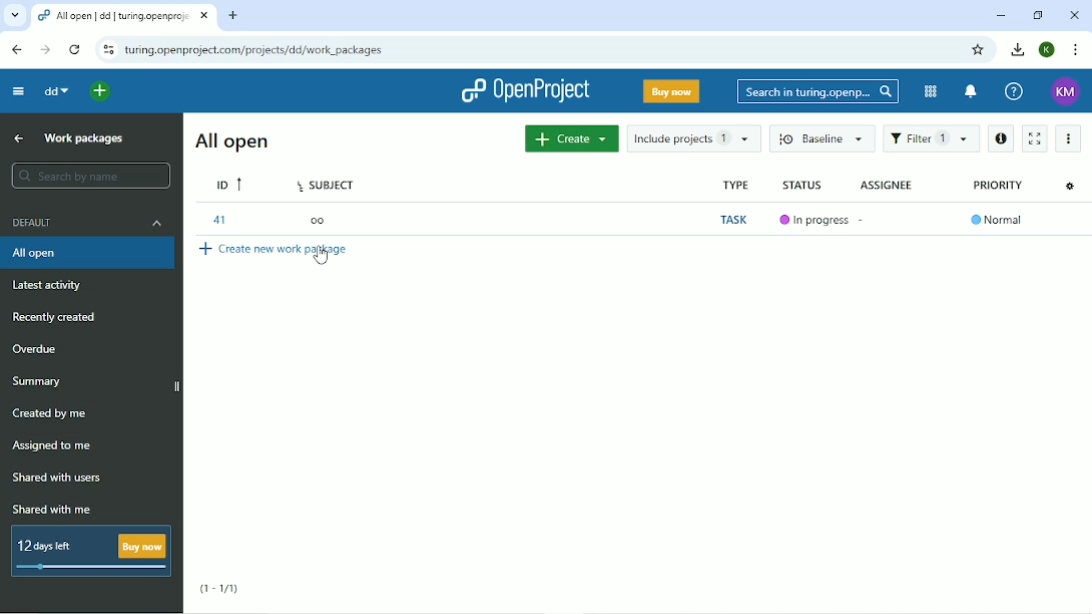  What do you see at coordinates (92, 551) in the screenshot?
I see `12 days left Buy now` at bounding box center [92, 551].